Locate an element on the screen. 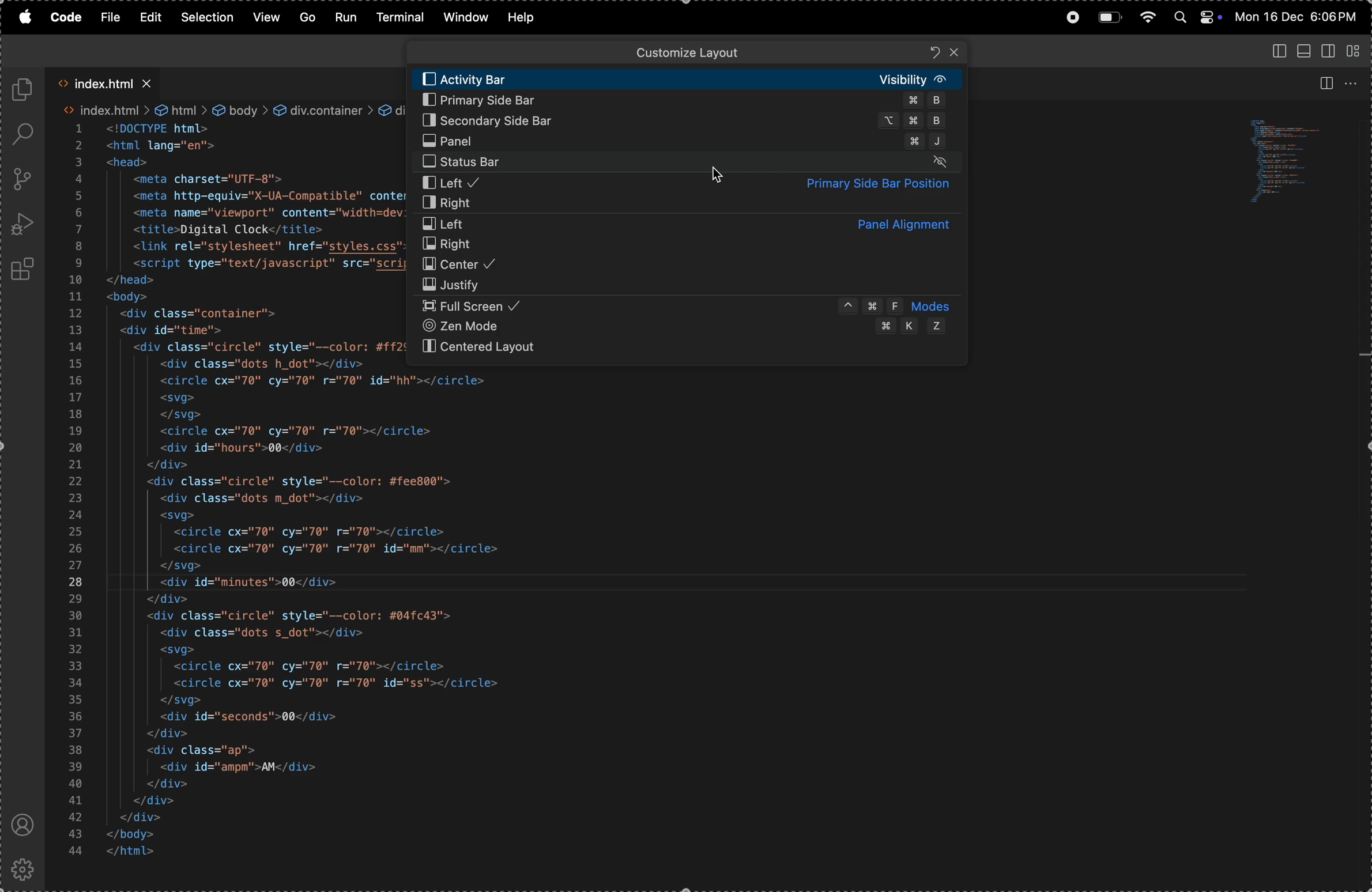 The width and height of the screenshot is (1372, 892). secondary side bar is located at coordinates (687, 124).